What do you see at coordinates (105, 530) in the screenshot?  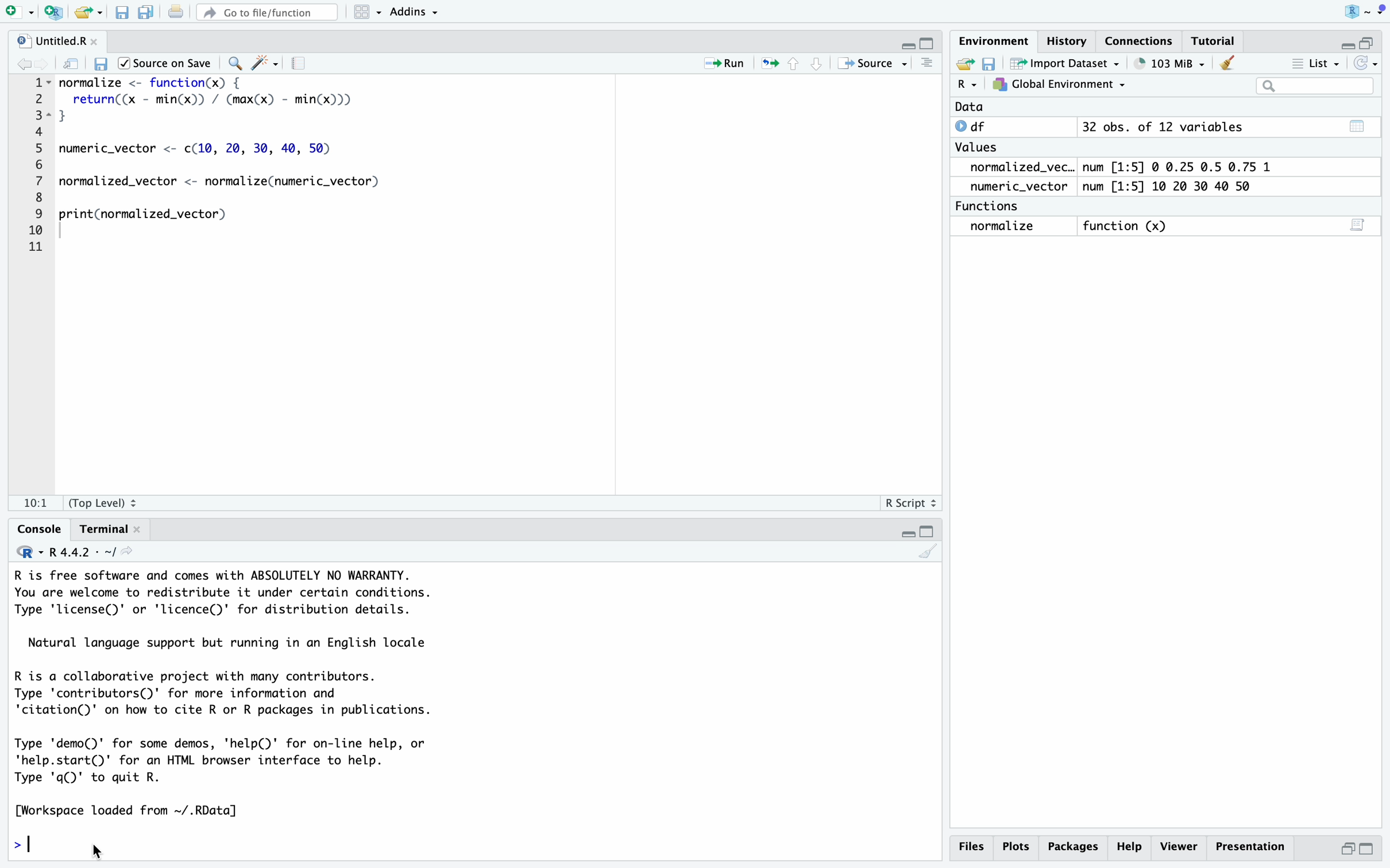 I see `Terminal` at bounding box center [105, 530].